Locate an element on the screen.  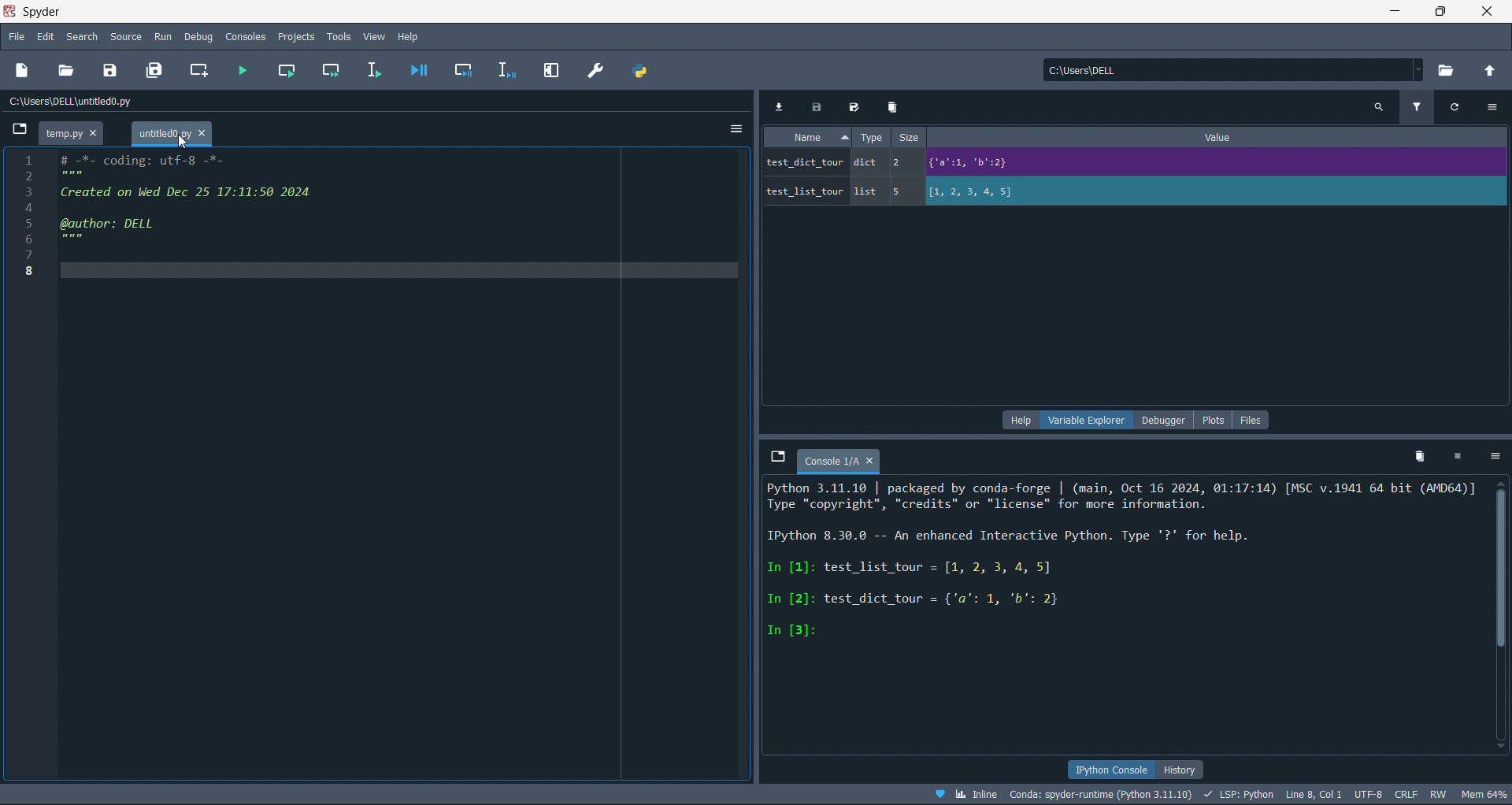
file is located at coordinates (15, 38).